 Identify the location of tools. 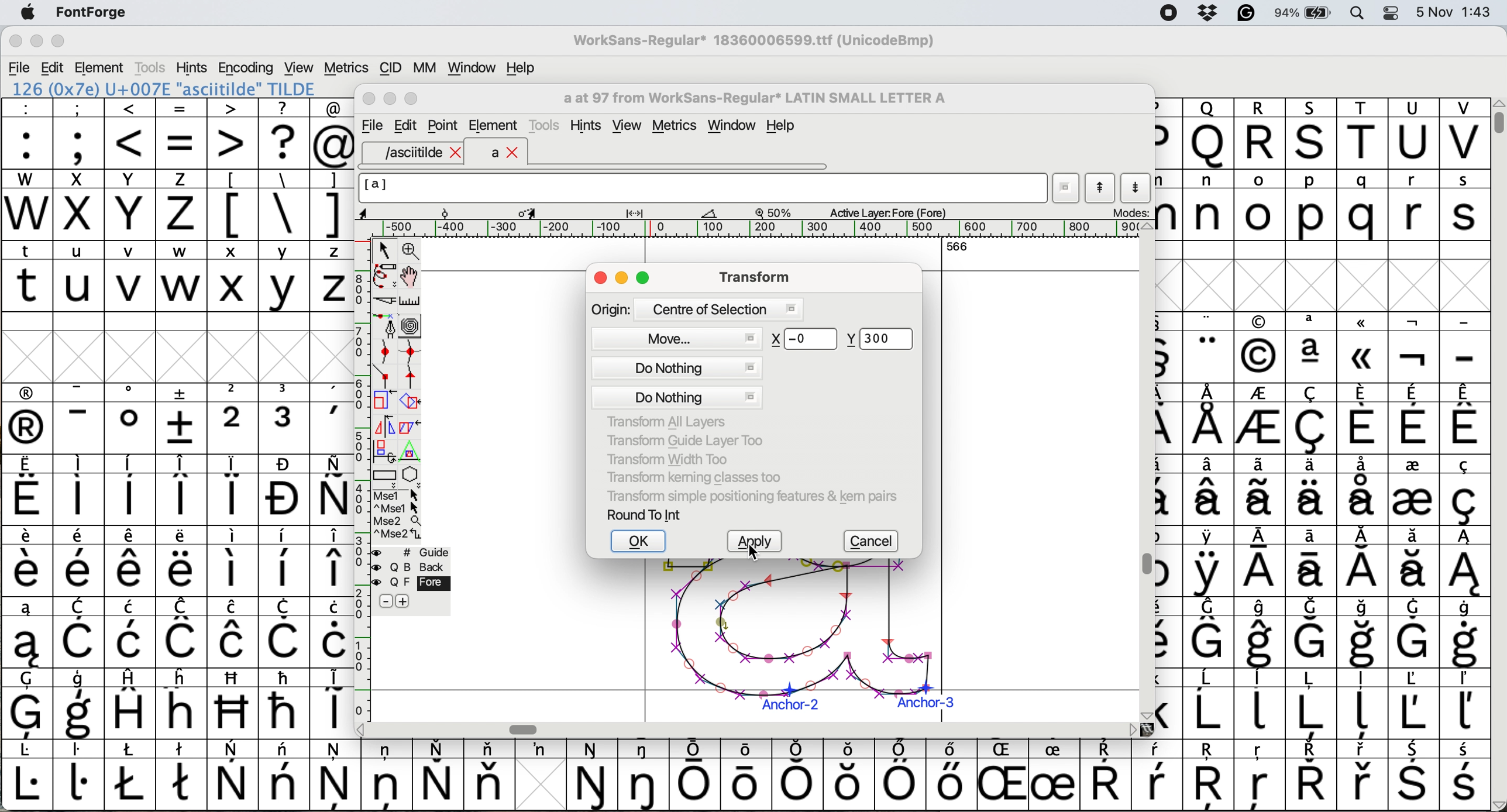
(149, 67).